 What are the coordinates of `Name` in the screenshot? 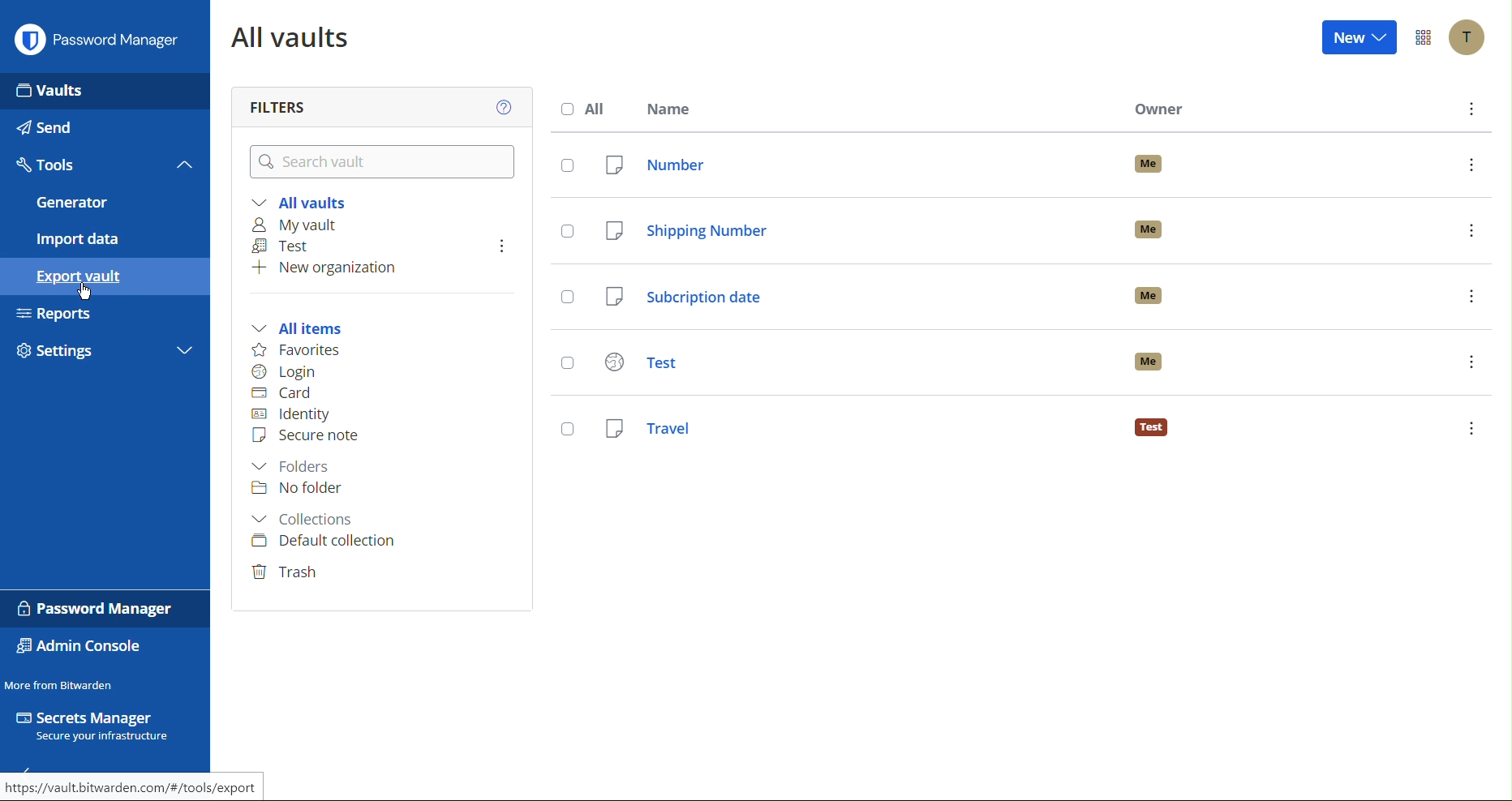 It's located at (668, 104).